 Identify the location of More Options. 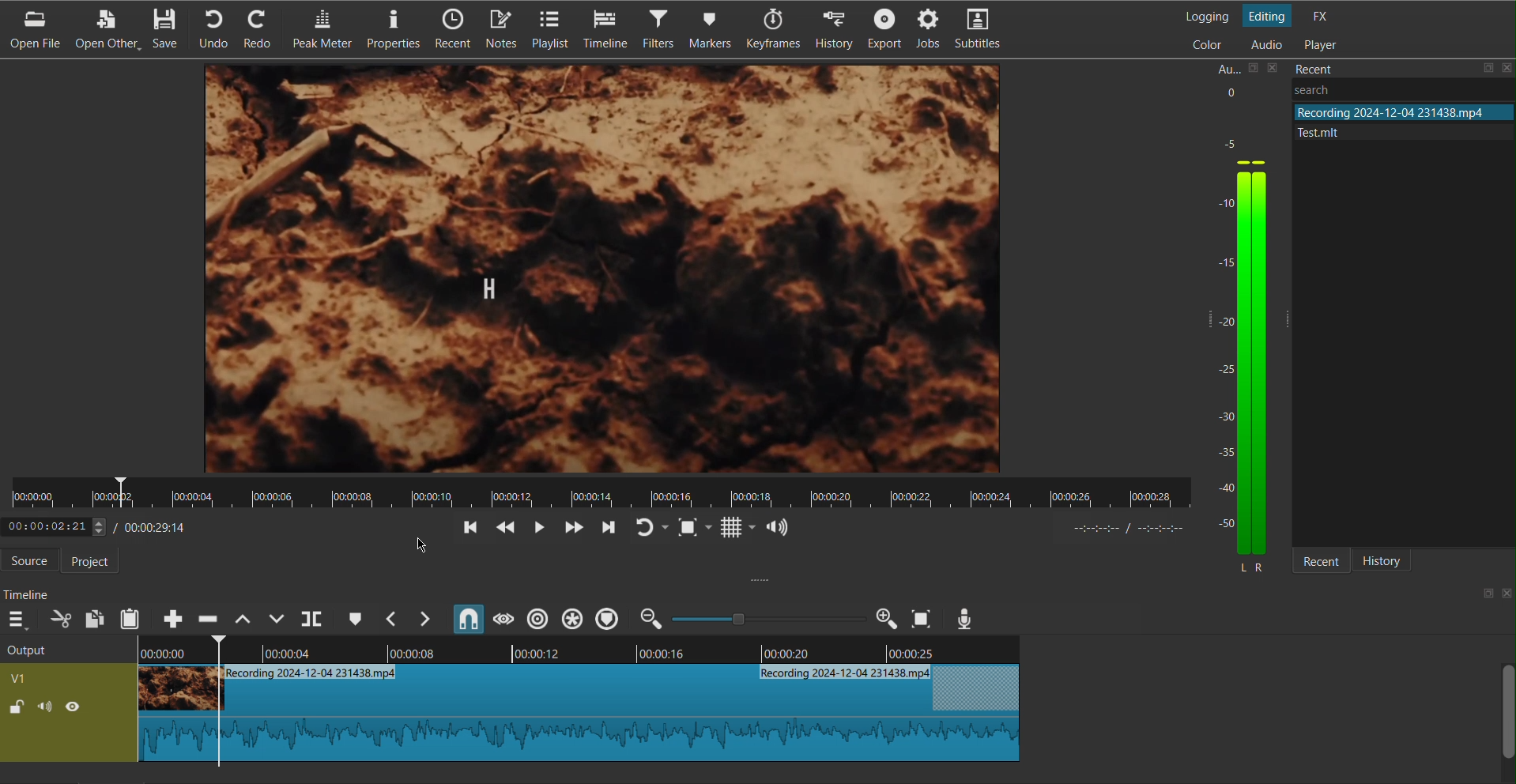
(19, 618).